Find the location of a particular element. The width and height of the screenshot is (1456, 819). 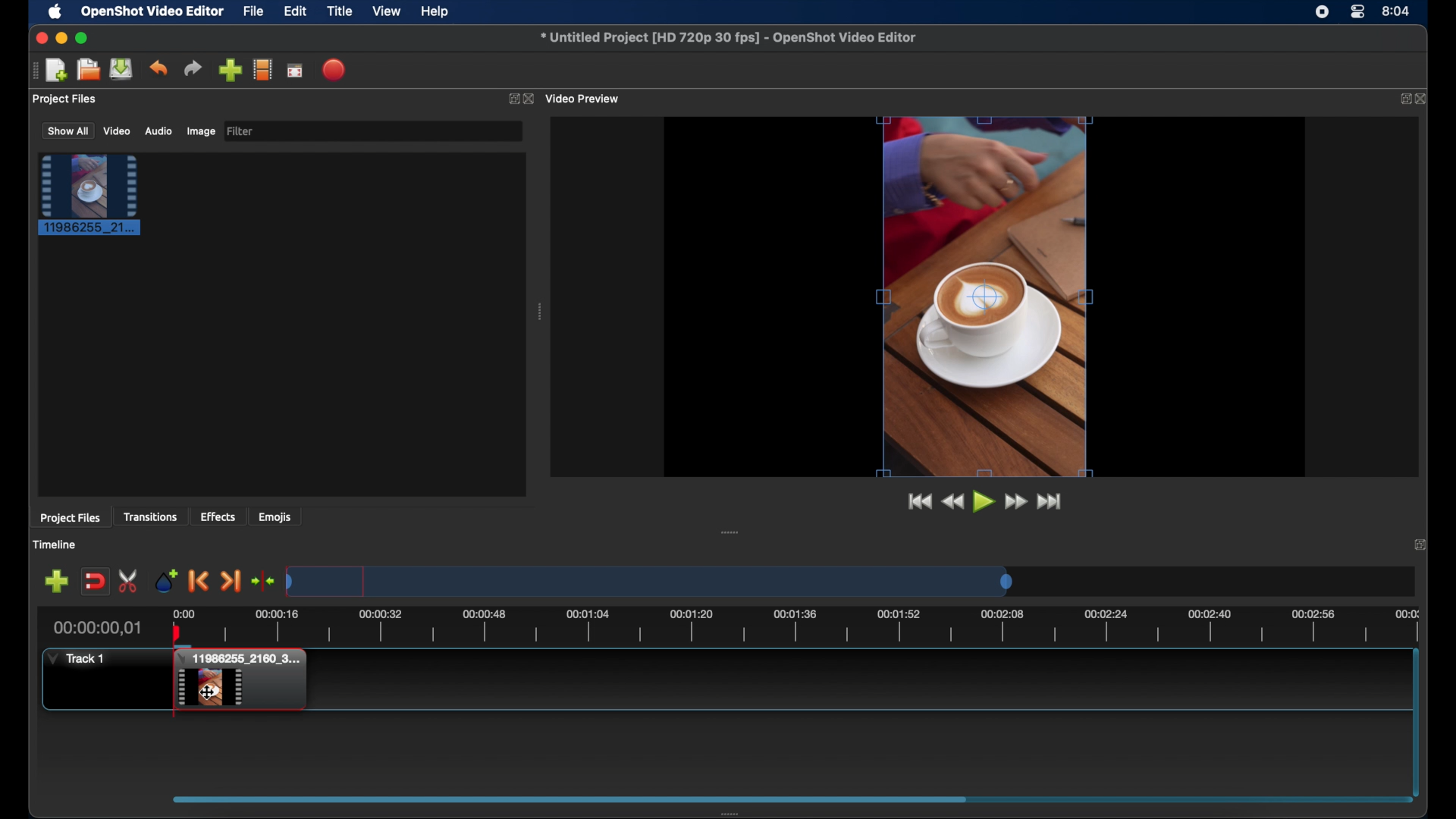

project files is located at coordinates (71, 519).